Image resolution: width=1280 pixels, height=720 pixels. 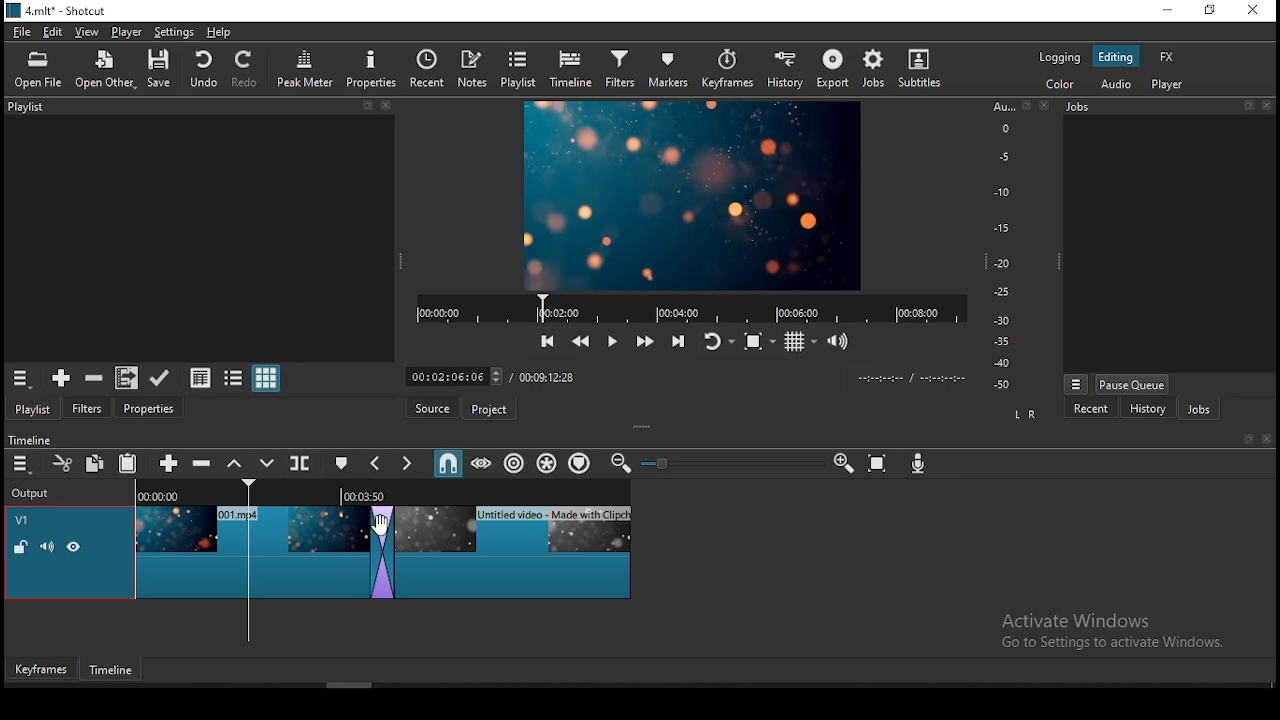 I want to click on transitionJobs, so click(x=381, y=552).